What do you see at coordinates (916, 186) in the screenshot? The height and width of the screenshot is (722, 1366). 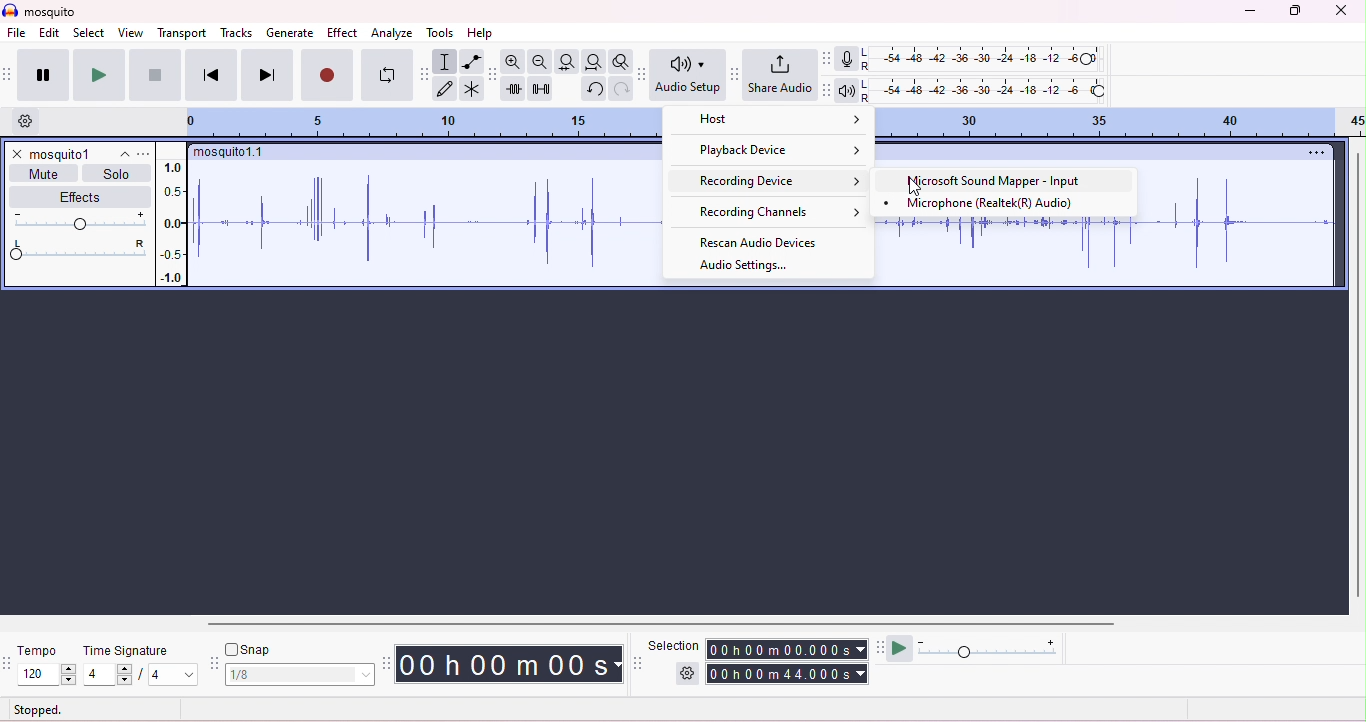 I see `cursor moved` at bounding box center [916, 186].